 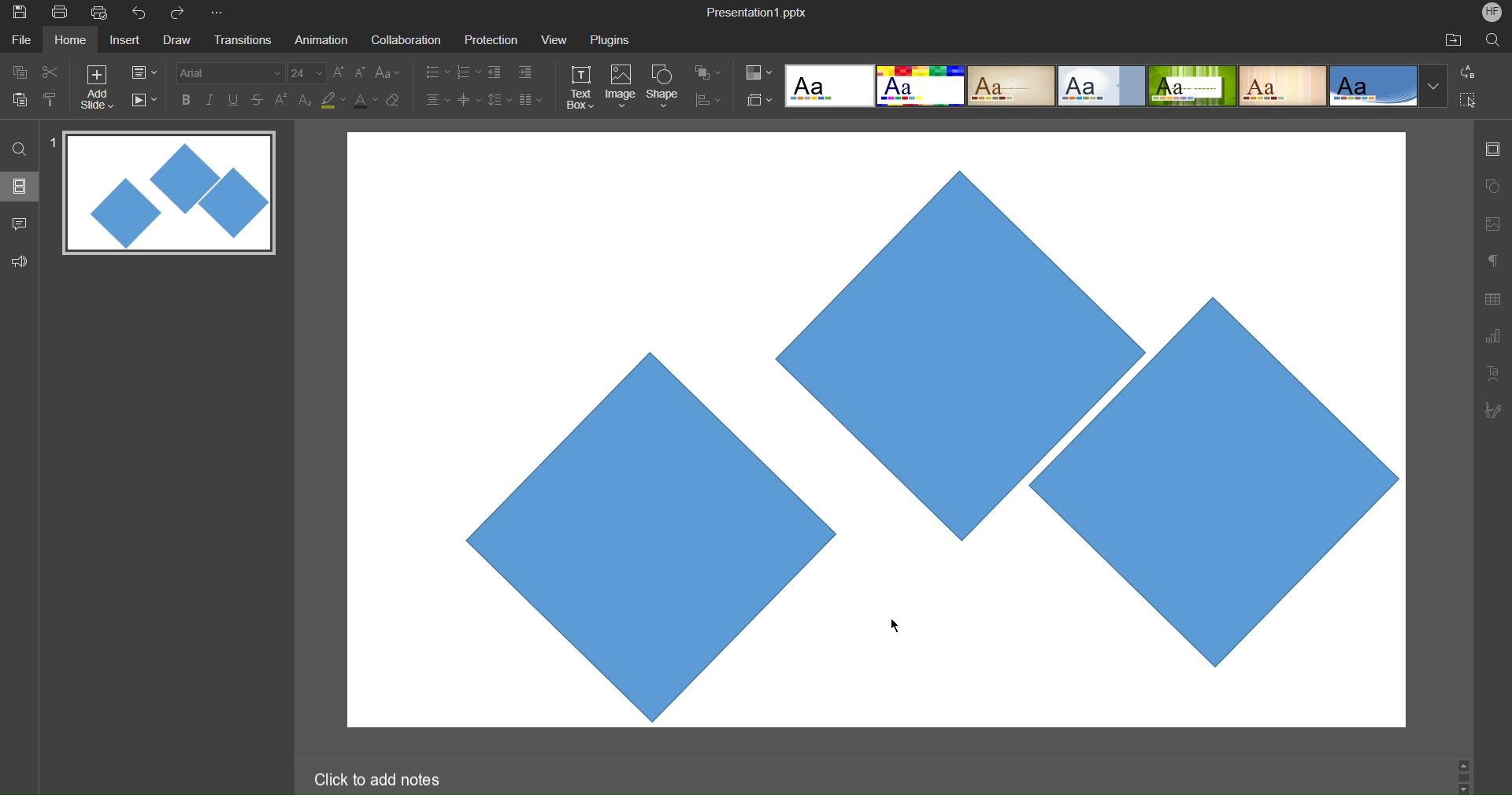 I want to click on View slides, so click(x=19, y=185).